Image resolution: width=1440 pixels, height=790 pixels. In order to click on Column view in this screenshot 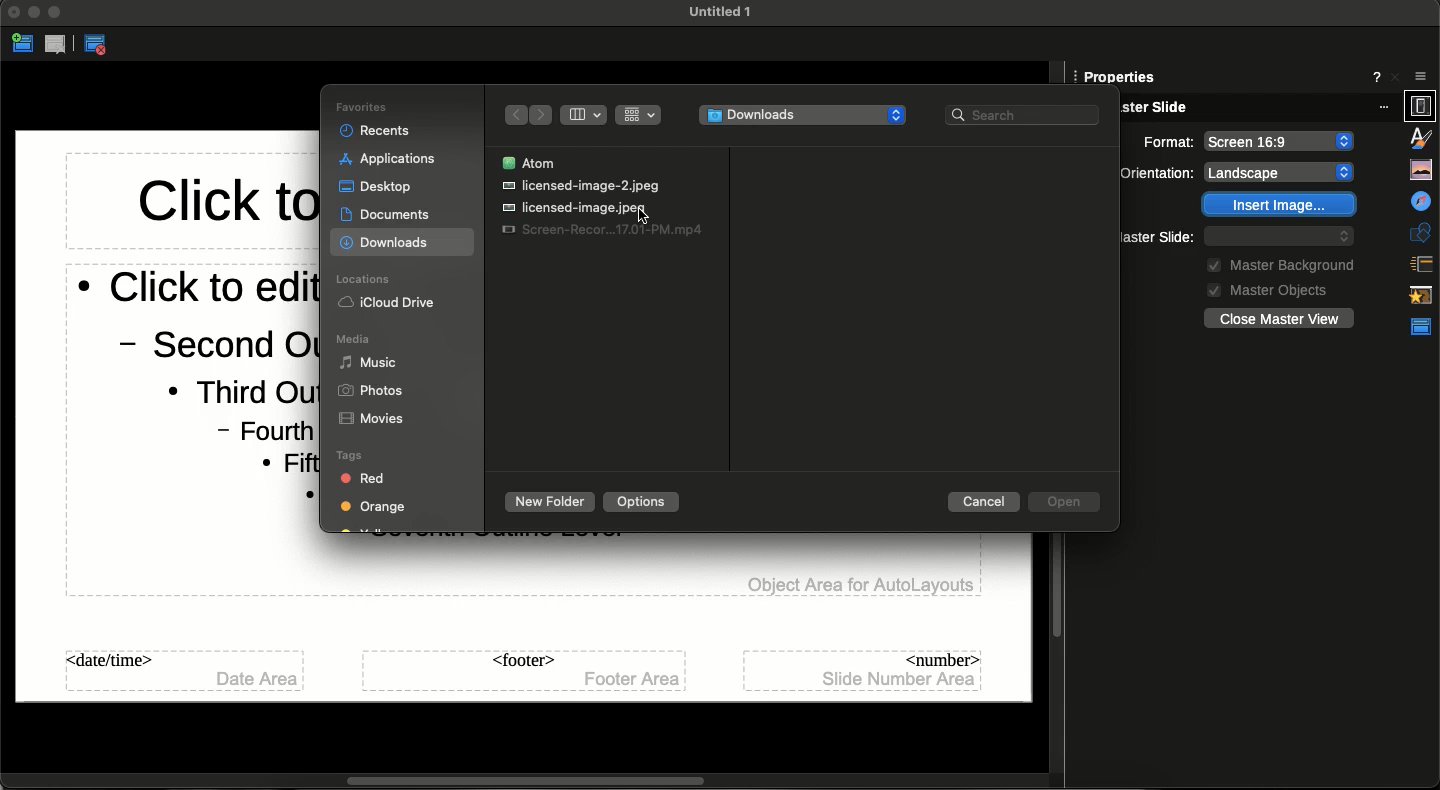, I will do `click(580, 116)`.